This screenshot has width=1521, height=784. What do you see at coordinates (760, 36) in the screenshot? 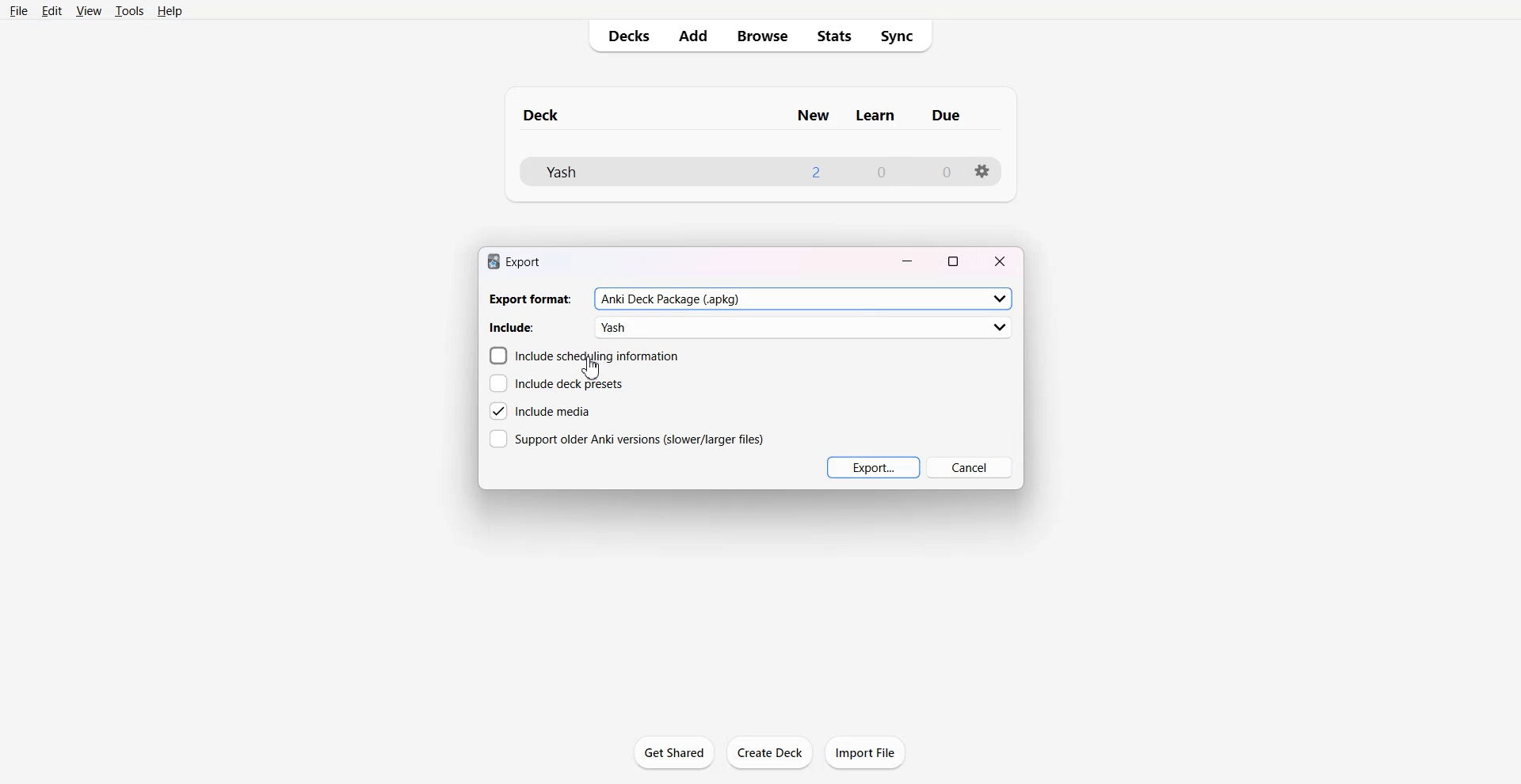
I see `Browse` at bounding box center [760, 36].